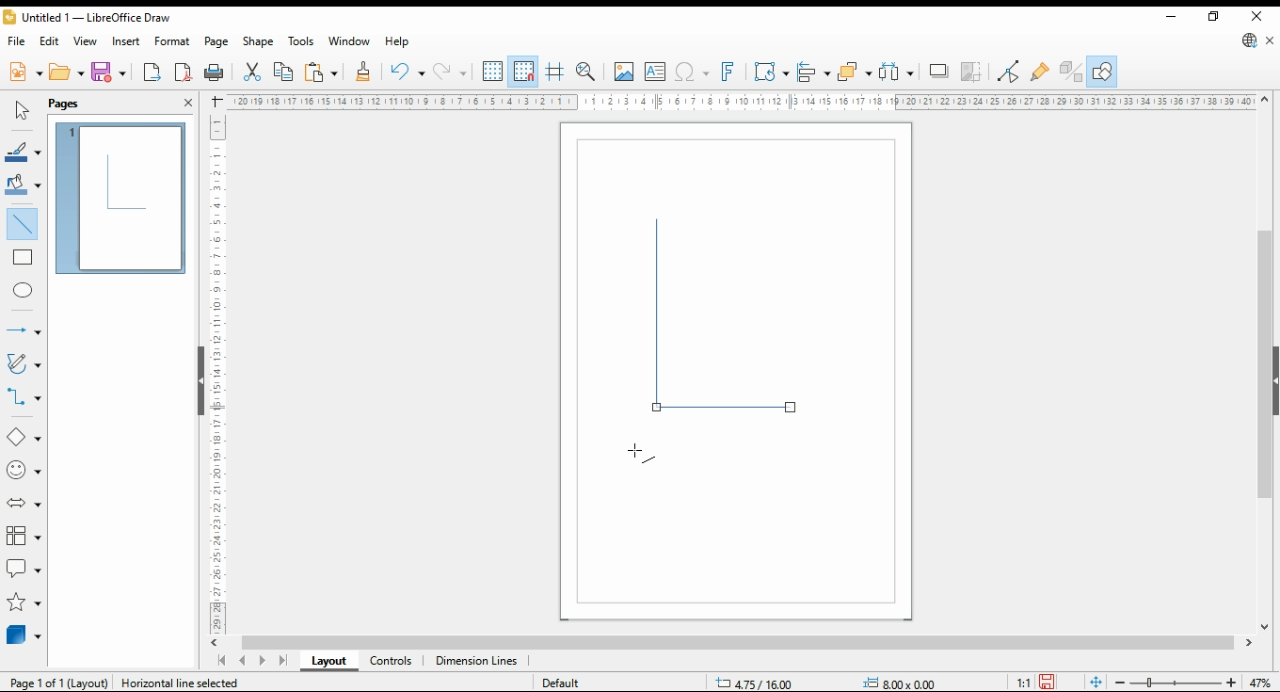 Image resolution: width=1280 pixels, height=692 pixels. I want to click on horizontall scale, so click(743, 100).